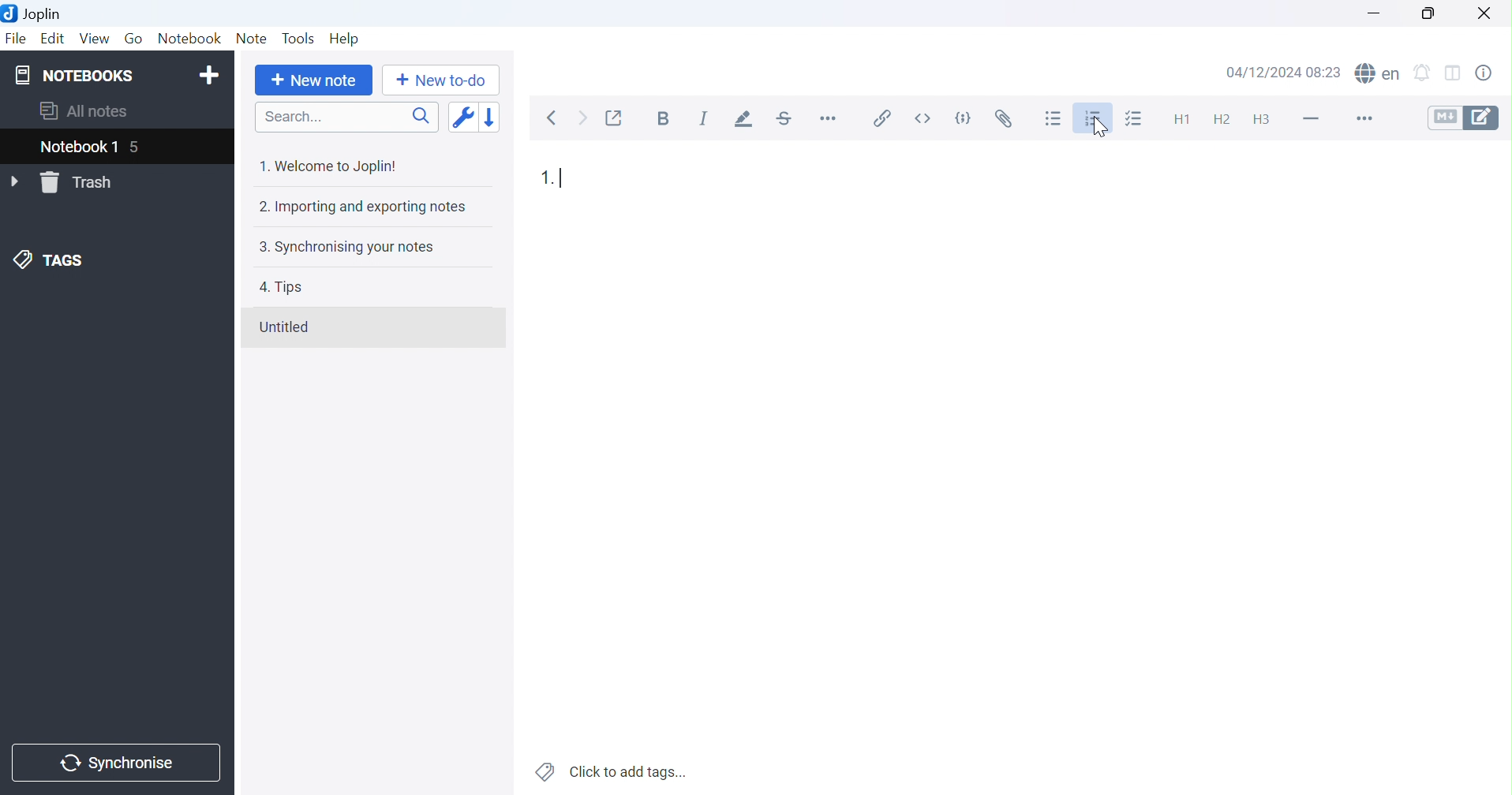  Describe the element at coordinates (283, 327) in the screenshot. I see `Untitled` at that location.